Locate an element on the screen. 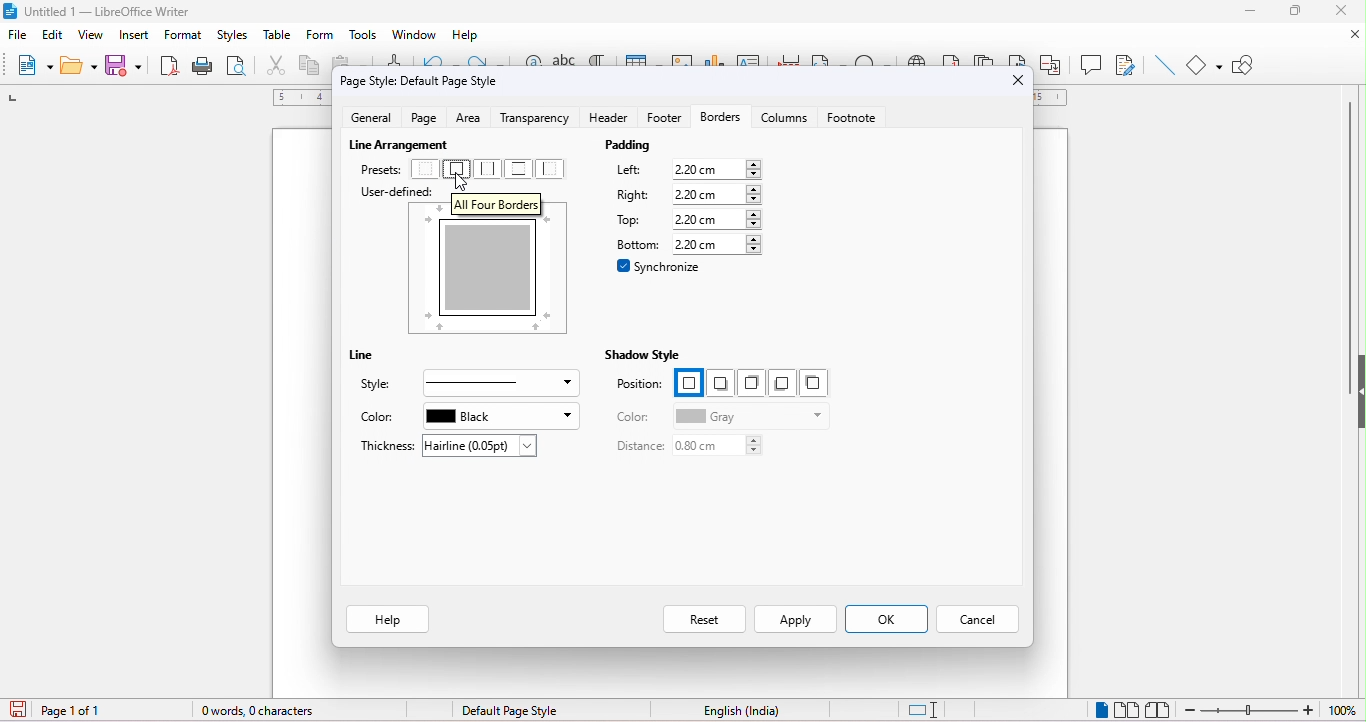 The height and width of the screenshot is (722, 1366). left is located at coordinates (636, 169).